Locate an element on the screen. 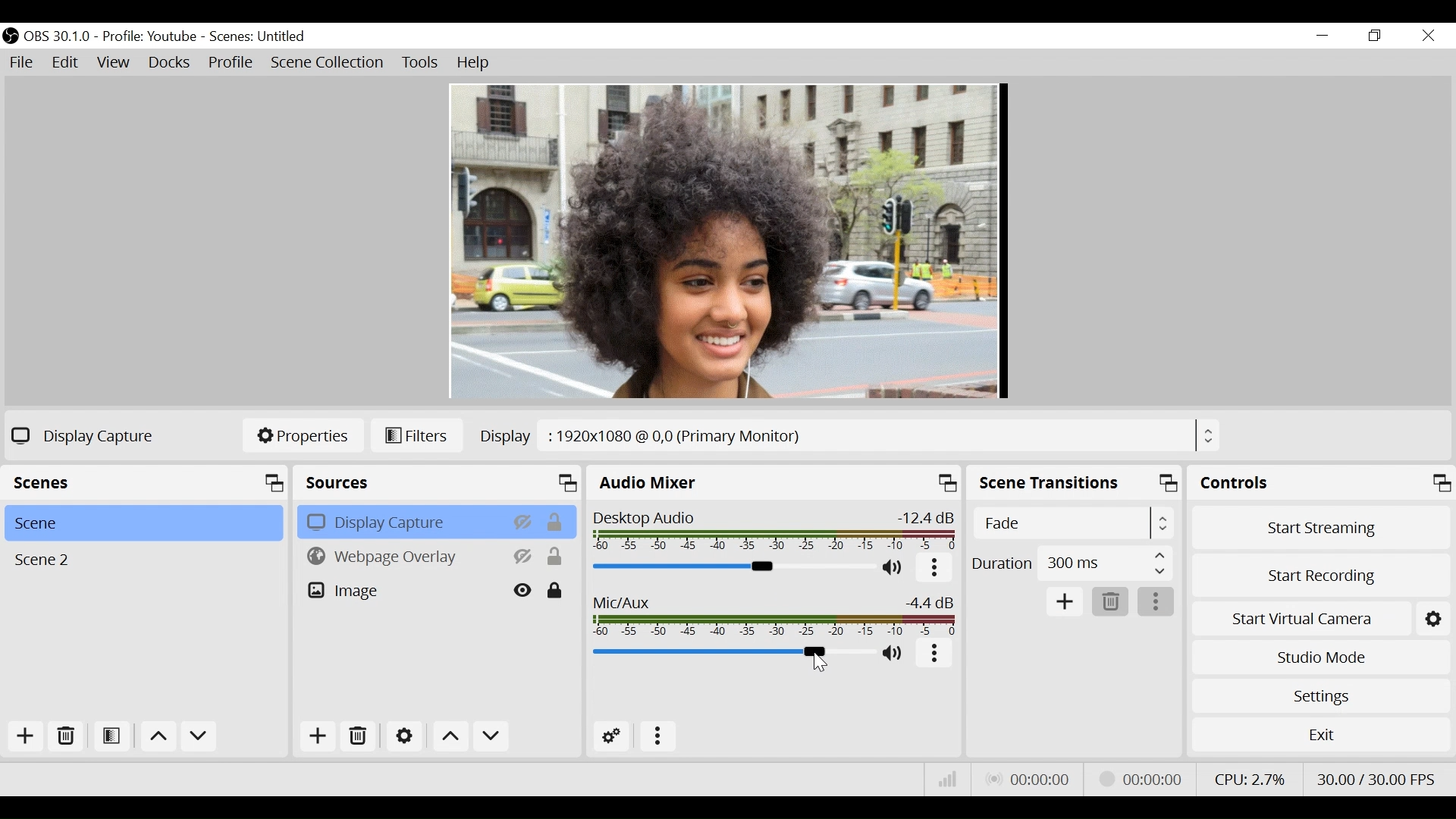  Delete is located at coordinates (67, 738).